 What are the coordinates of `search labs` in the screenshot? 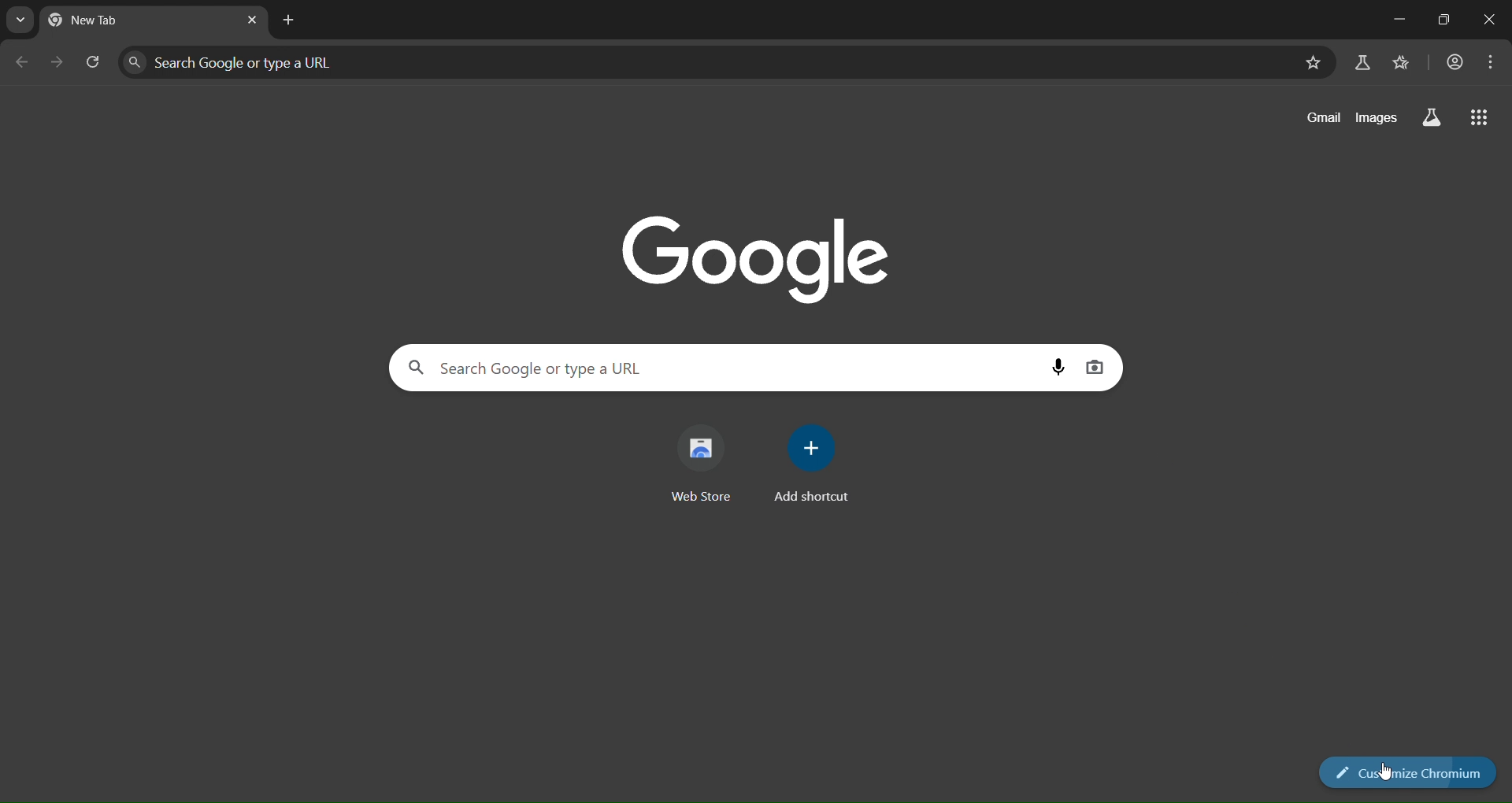 It's located at (1362, 61).